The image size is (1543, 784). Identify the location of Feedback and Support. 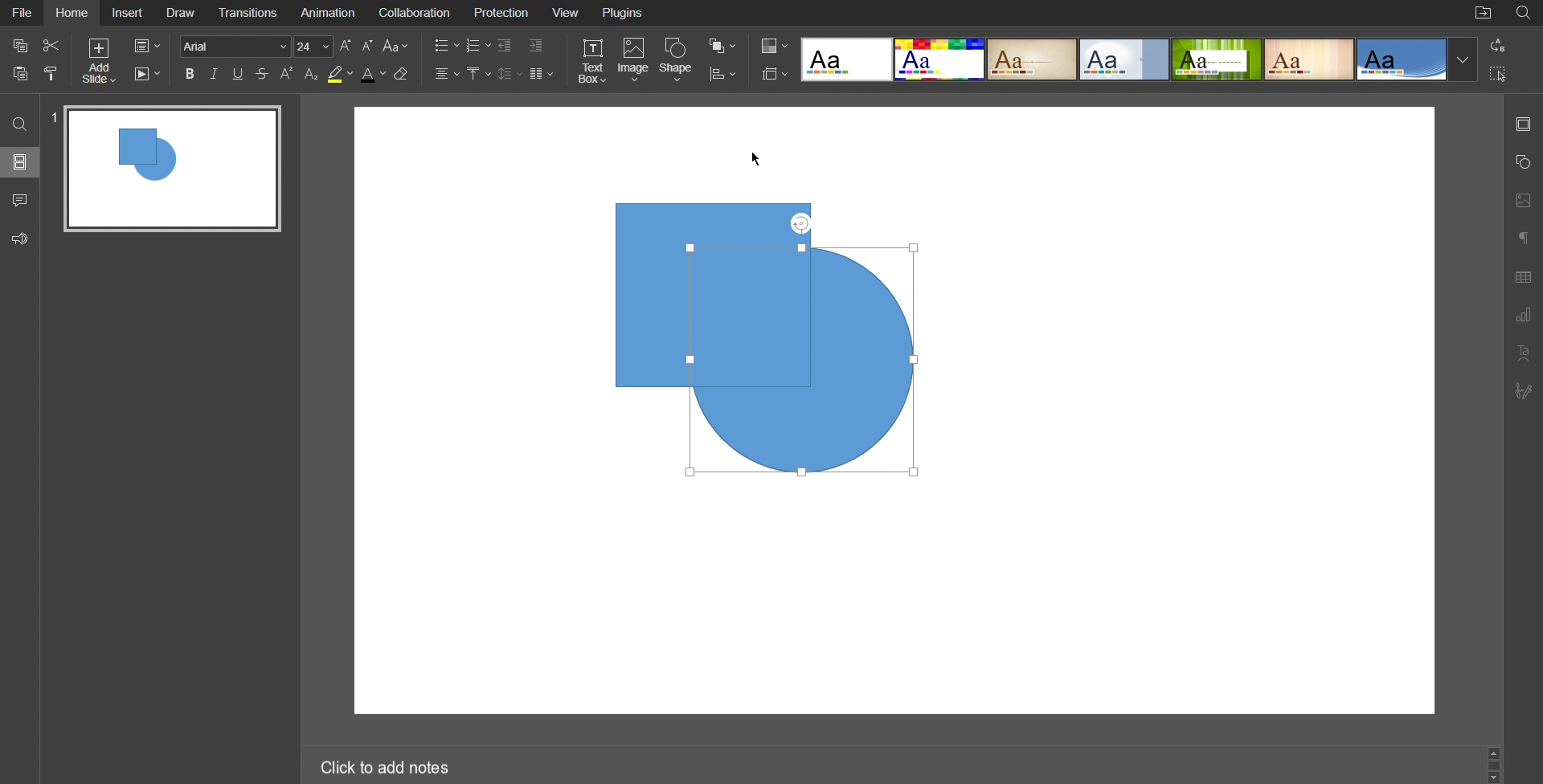
(19, 238).